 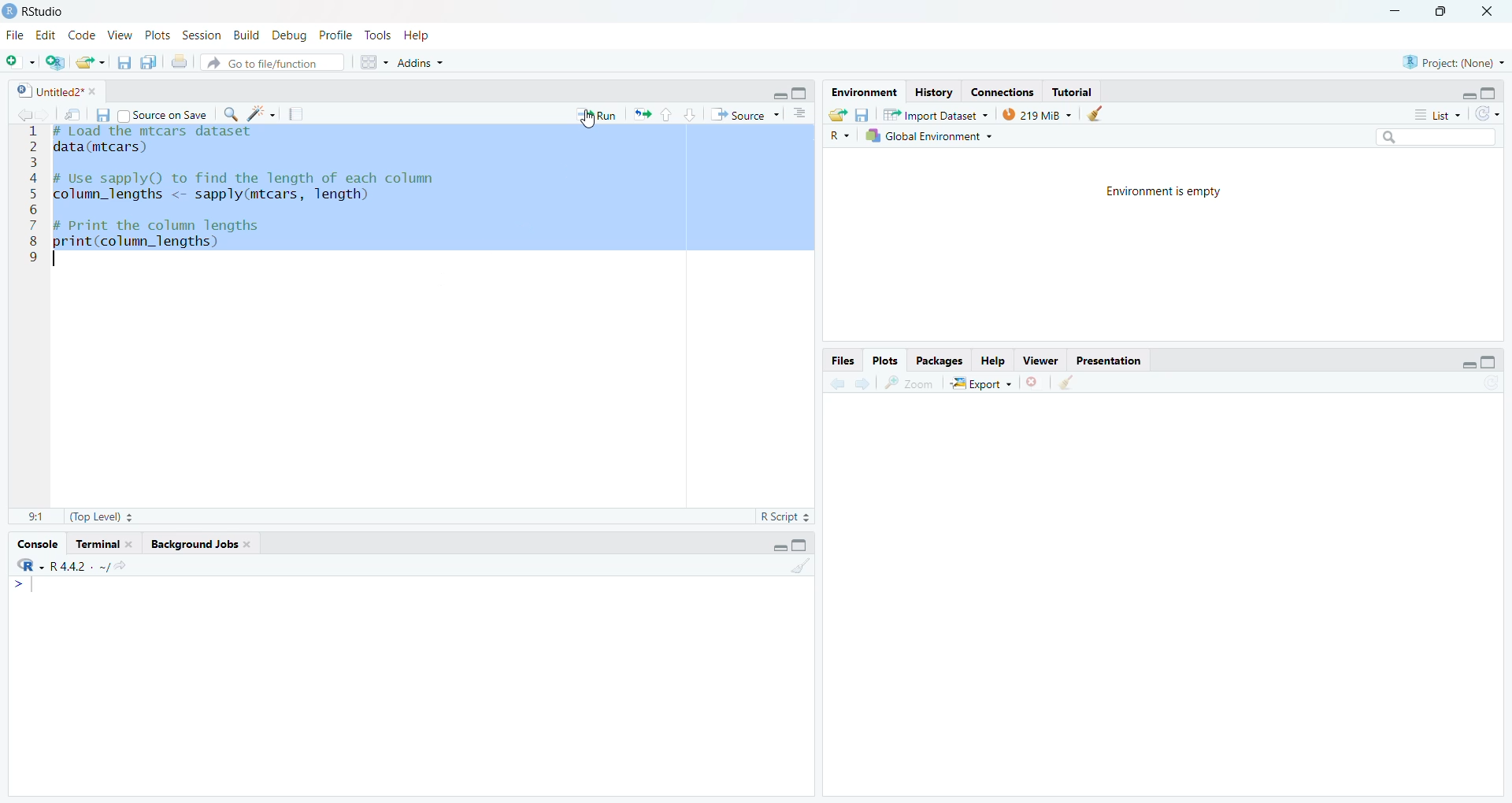 What do you see at coordinates (690, 114) in the screenshot?
I see `Go to next section` at bounding box center [690, 114].